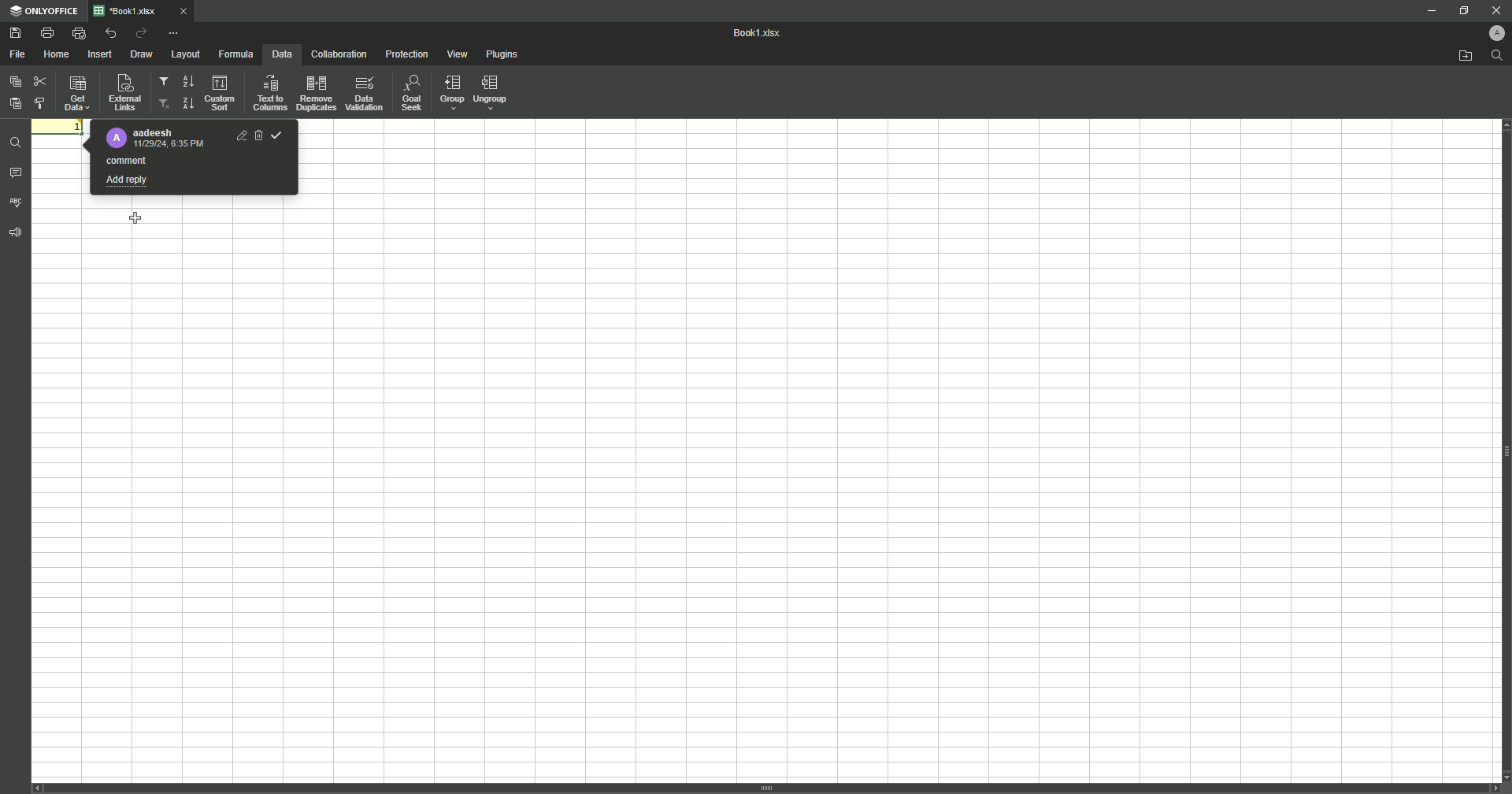 Image resolution: width=1512 pixels, height=794 pixels. What do you see at coordinates (165, 83) in the screenshot?
I see `Filter` at bounding box center [165, 83].